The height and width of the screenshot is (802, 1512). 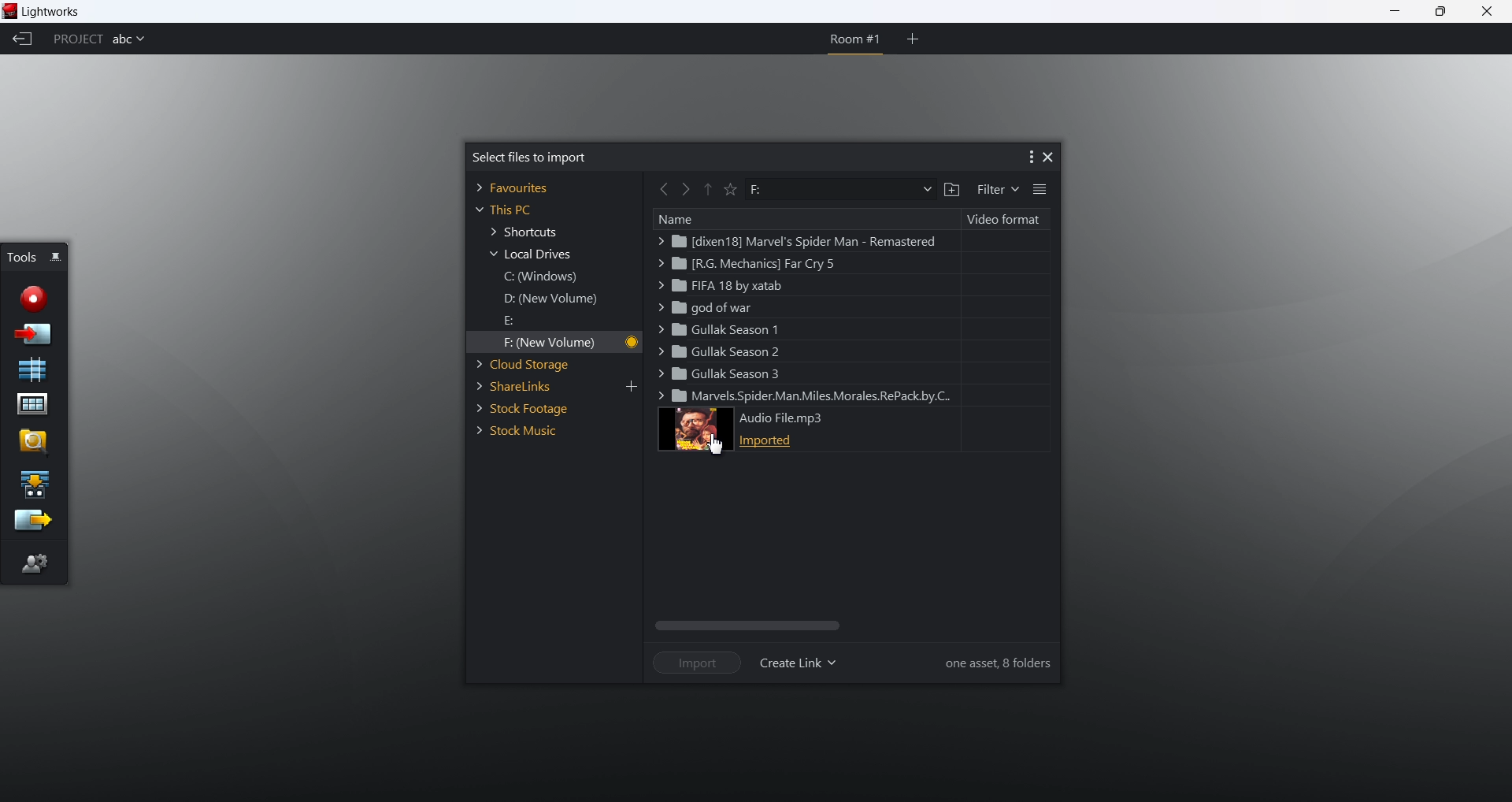 What do you see at coordinates (718, 331) in the screenshot?
I see `gullak season 1` at bounding box center [718, 331].